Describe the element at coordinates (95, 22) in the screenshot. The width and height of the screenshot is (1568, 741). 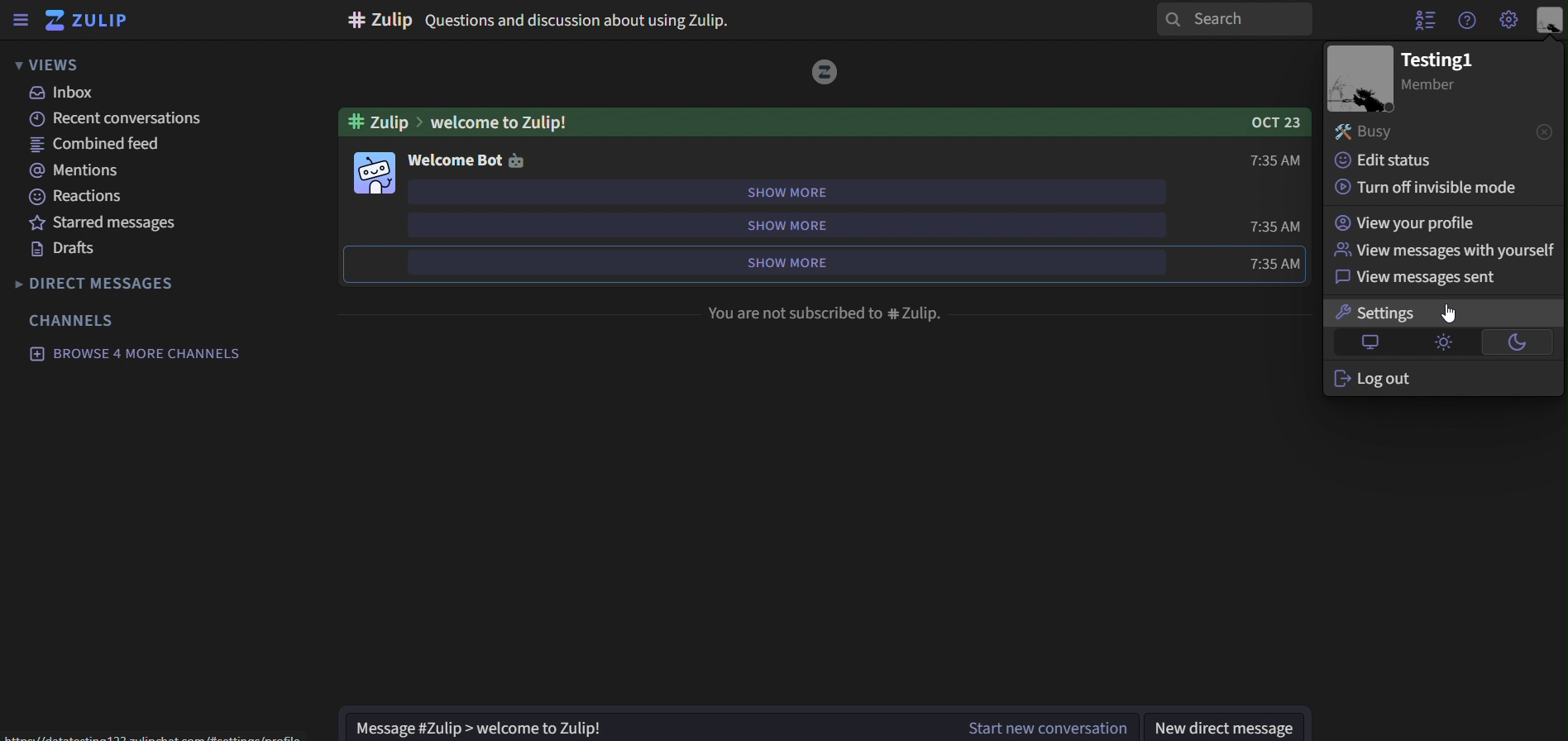
I see `zulip` at that location.